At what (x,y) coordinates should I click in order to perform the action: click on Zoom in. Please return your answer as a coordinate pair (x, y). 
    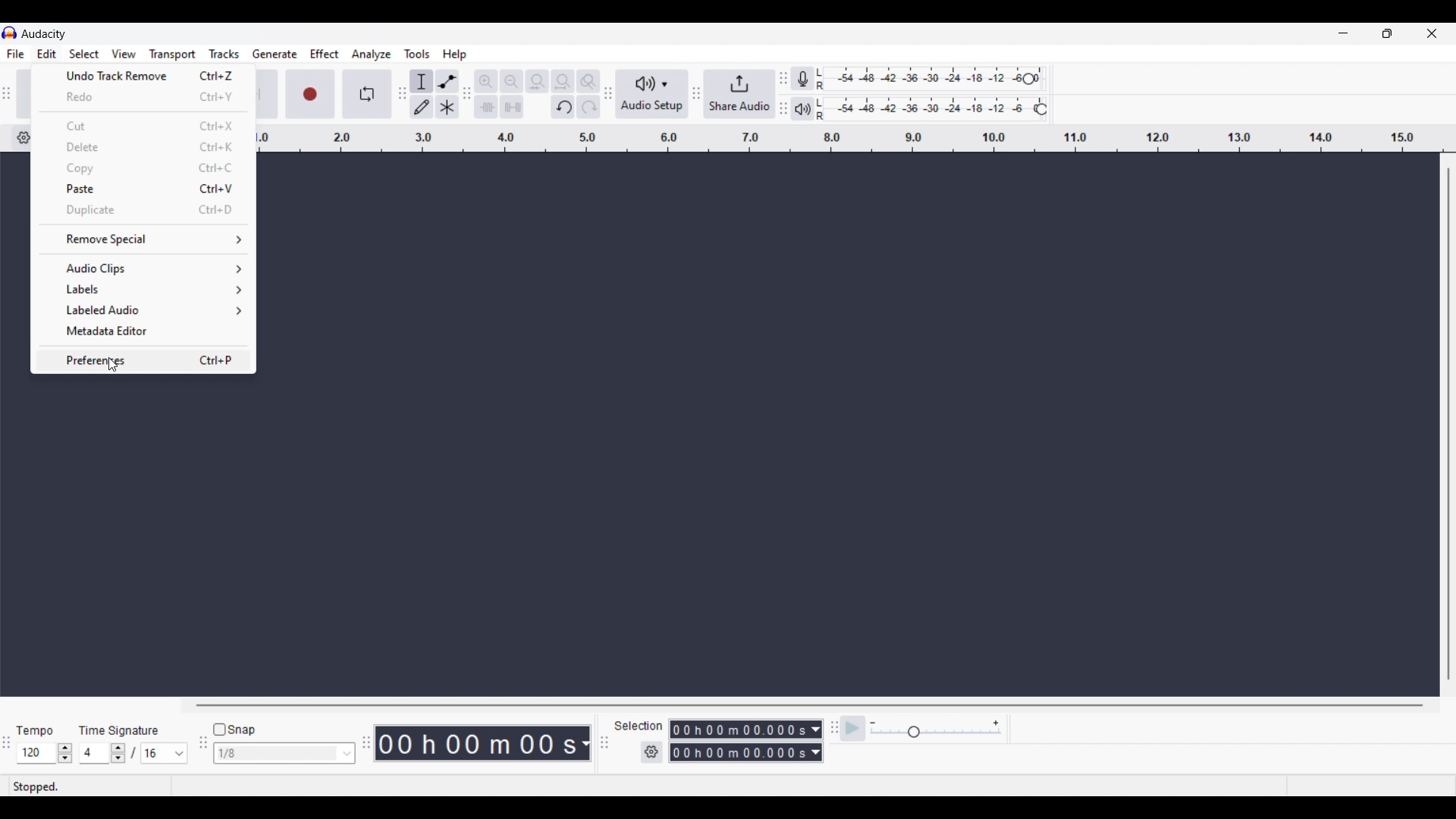
    Looking at the image, I should click on (485, 81).